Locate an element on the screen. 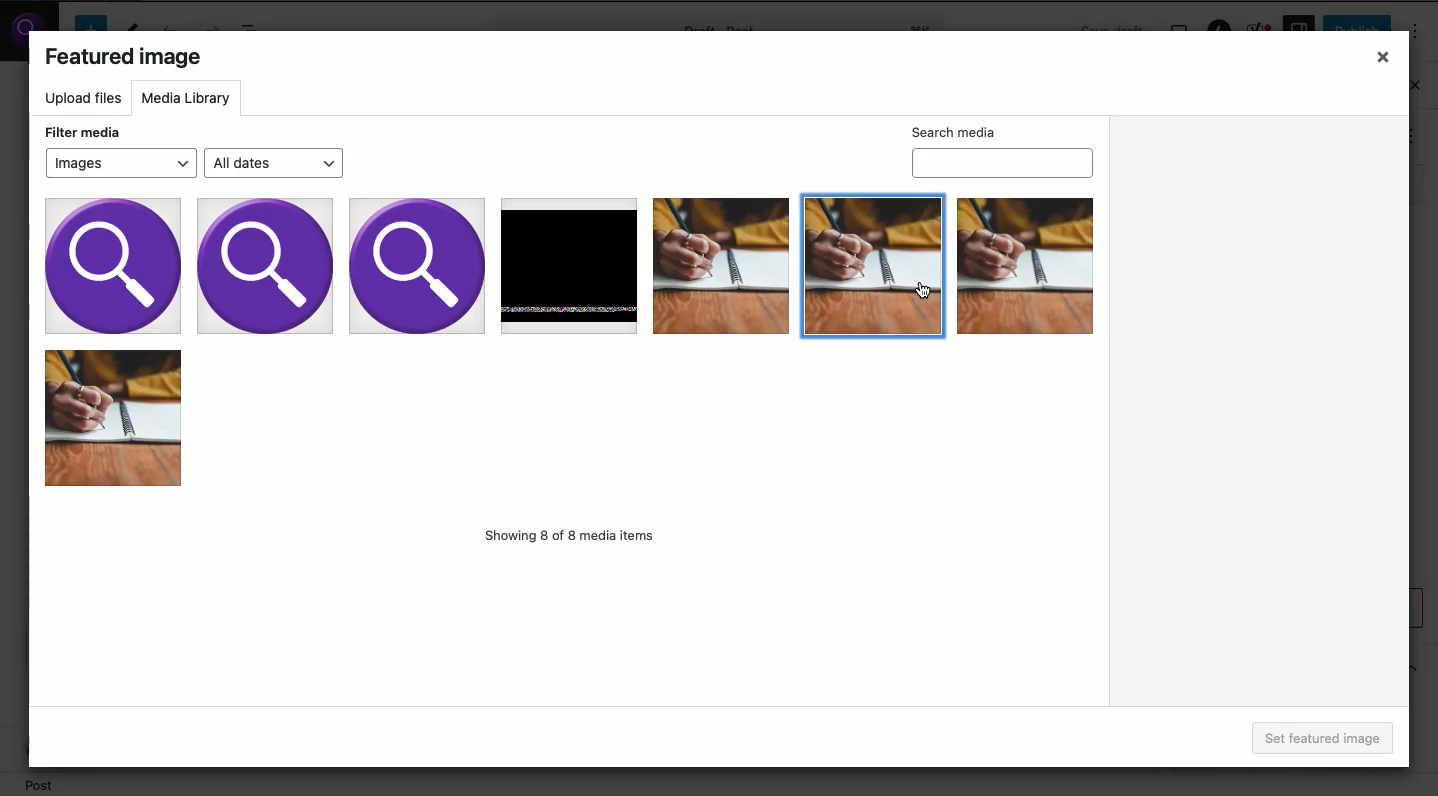 This screenshot has width=1438, height=796. Images is located at coordinates (119, 163).